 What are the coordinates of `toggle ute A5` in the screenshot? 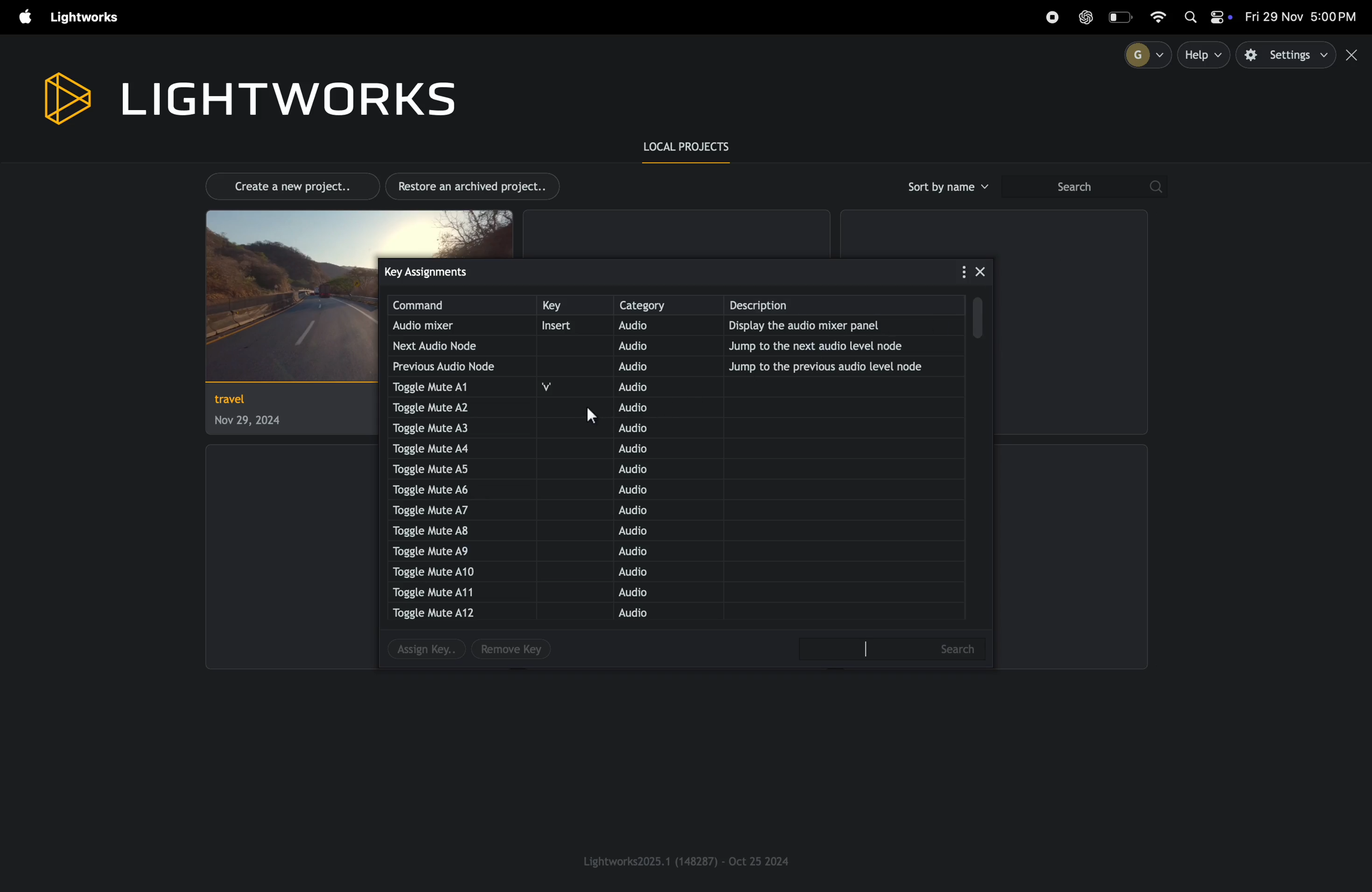 It's located at (440, 468).